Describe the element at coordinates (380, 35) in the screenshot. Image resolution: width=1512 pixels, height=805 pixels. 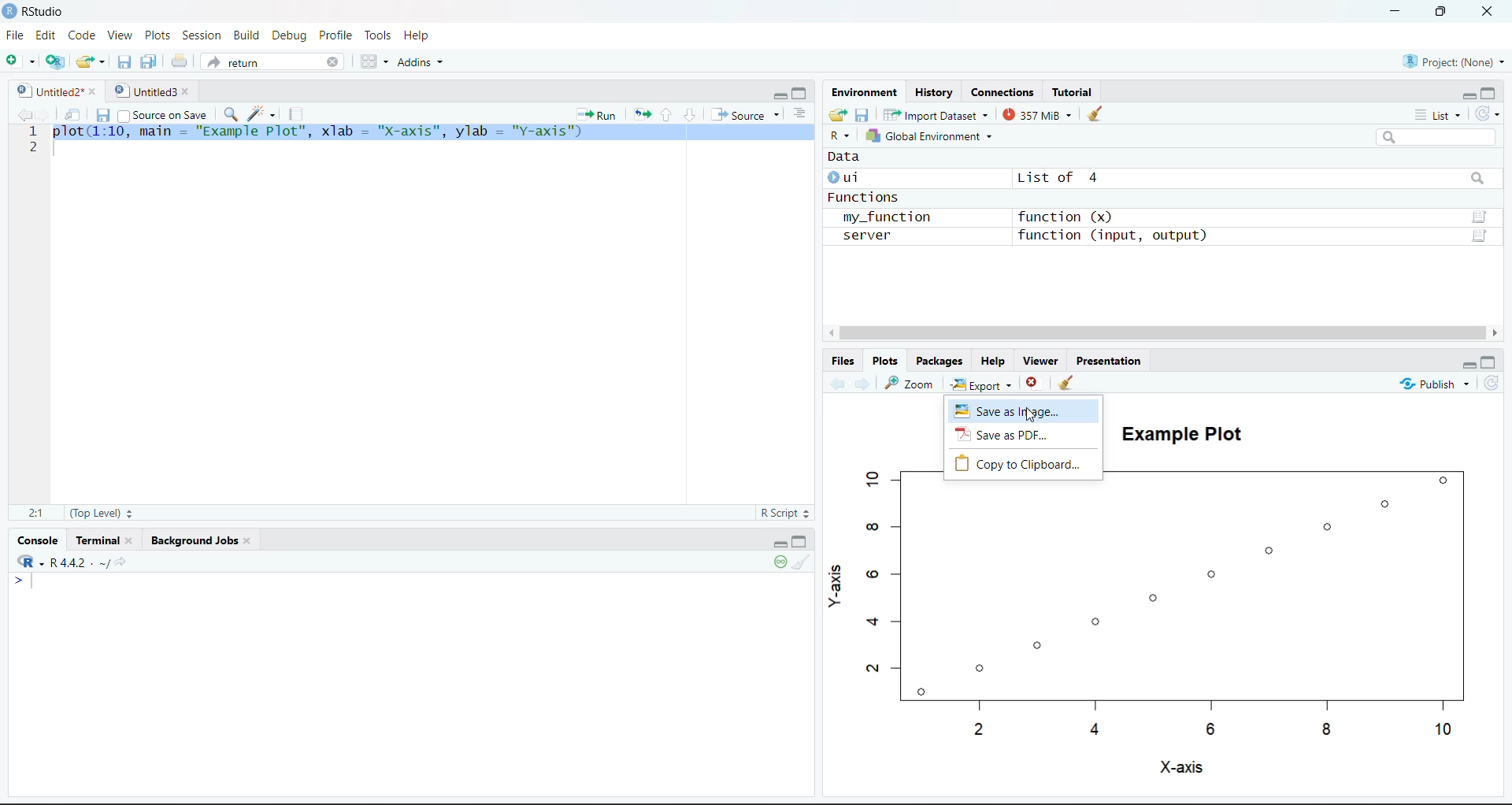
I see `Tools` at that location.